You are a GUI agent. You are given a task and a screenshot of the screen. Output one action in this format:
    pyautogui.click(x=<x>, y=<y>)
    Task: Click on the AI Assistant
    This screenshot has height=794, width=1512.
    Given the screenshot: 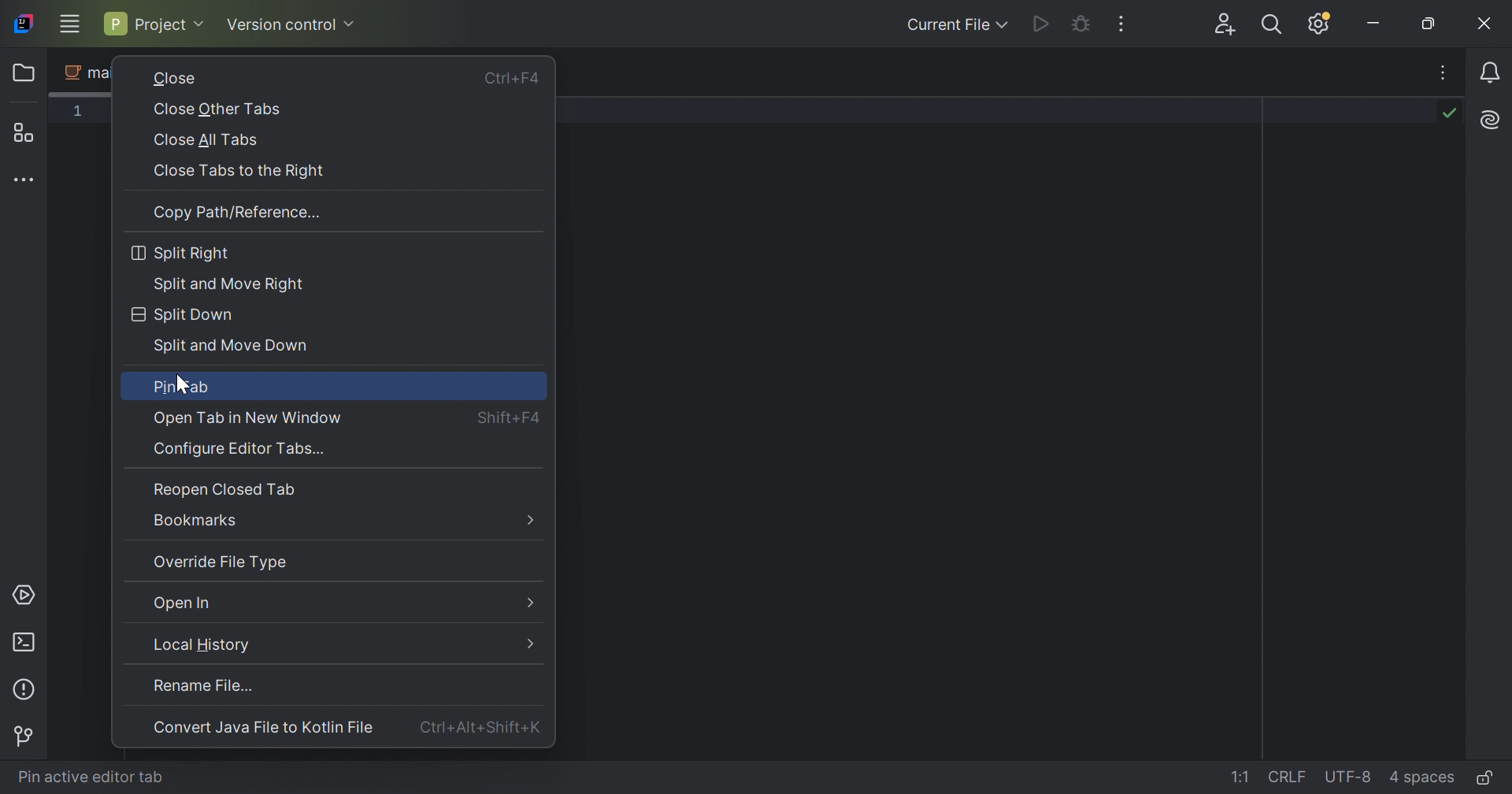 What is the action you would take?
    pyautogui.click(x=1493, y=118)
    